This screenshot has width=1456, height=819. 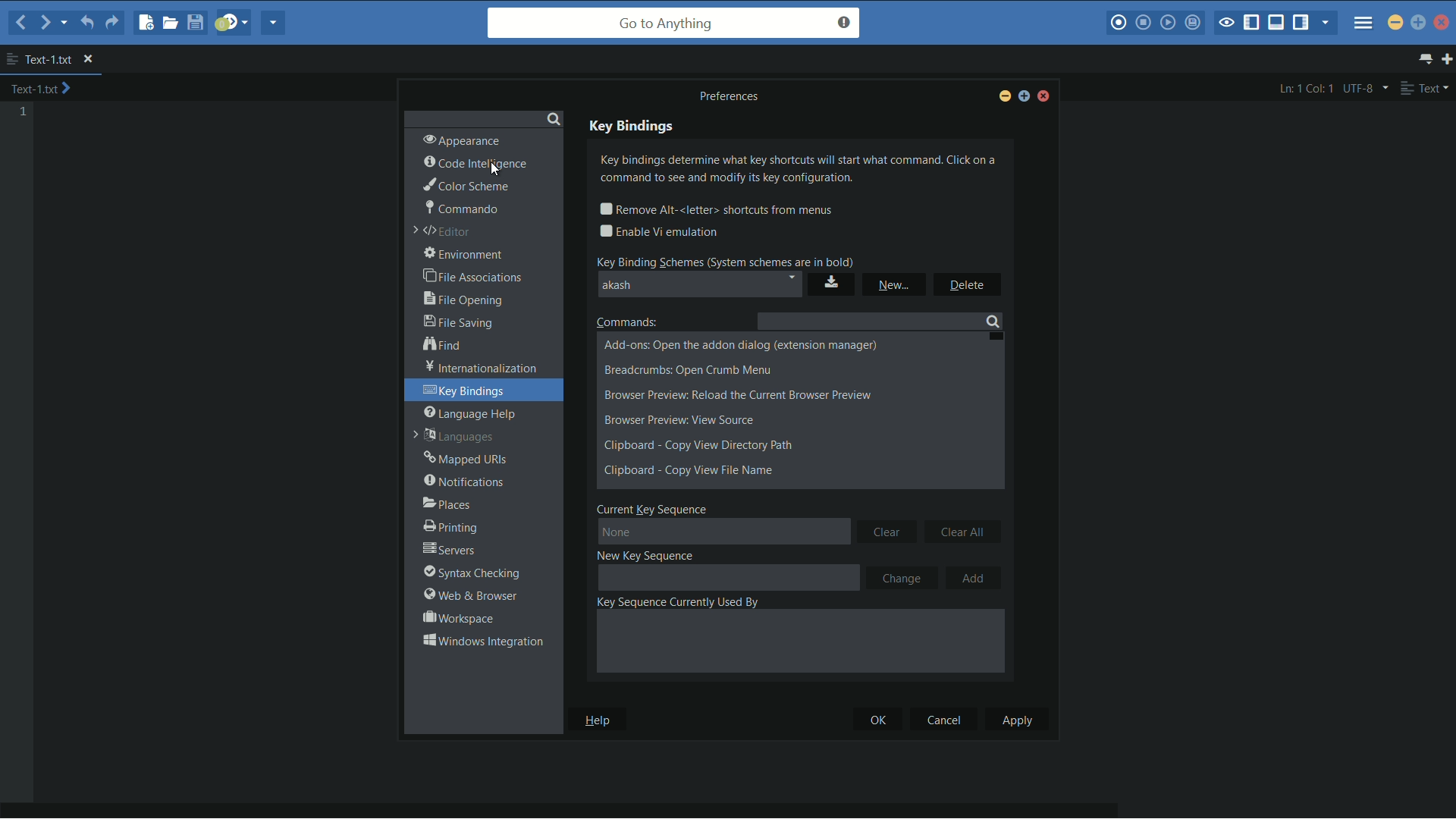 I want to click on mapped urls, so click(x=466, y=460).